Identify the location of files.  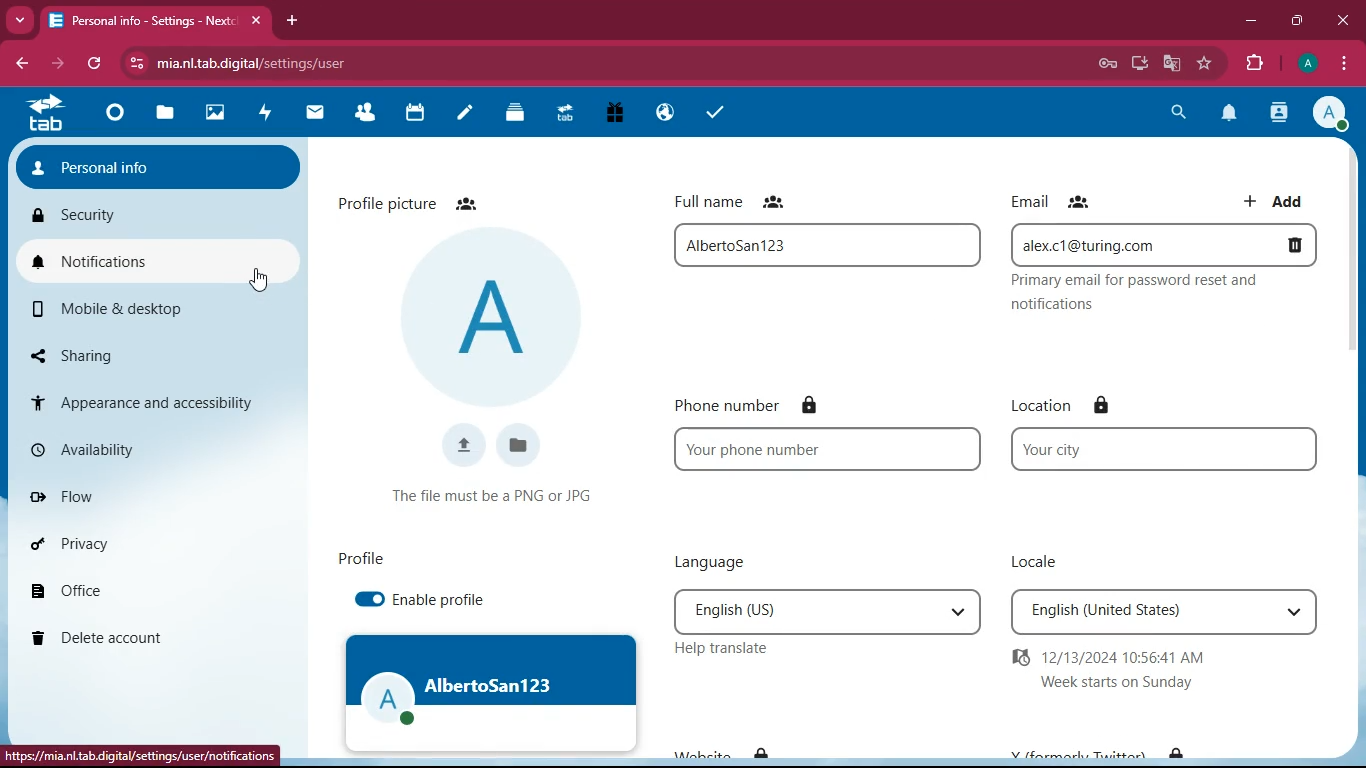
(164, 117).